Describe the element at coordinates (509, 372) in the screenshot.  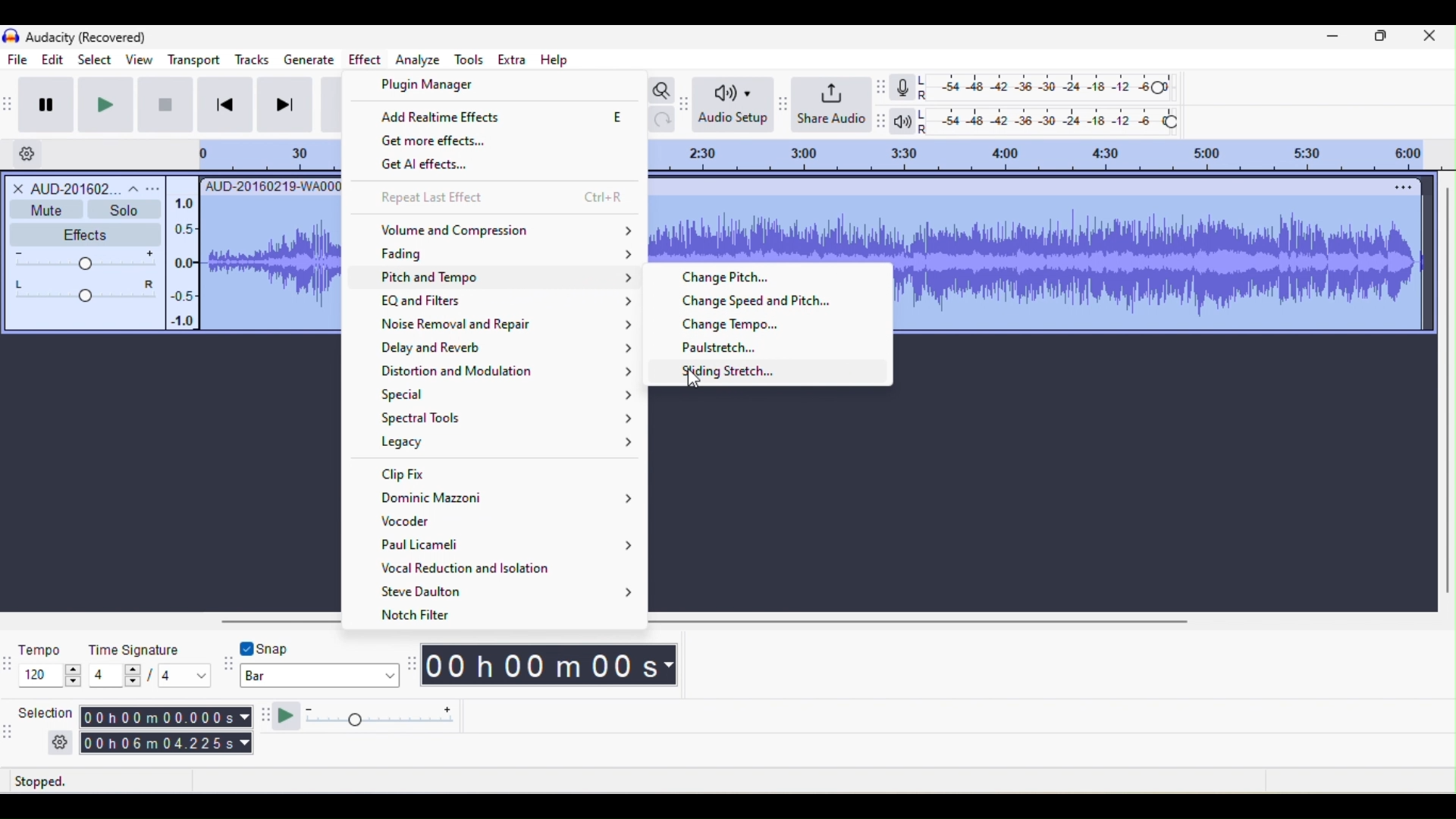
I see `distortion and modulation` at that location.